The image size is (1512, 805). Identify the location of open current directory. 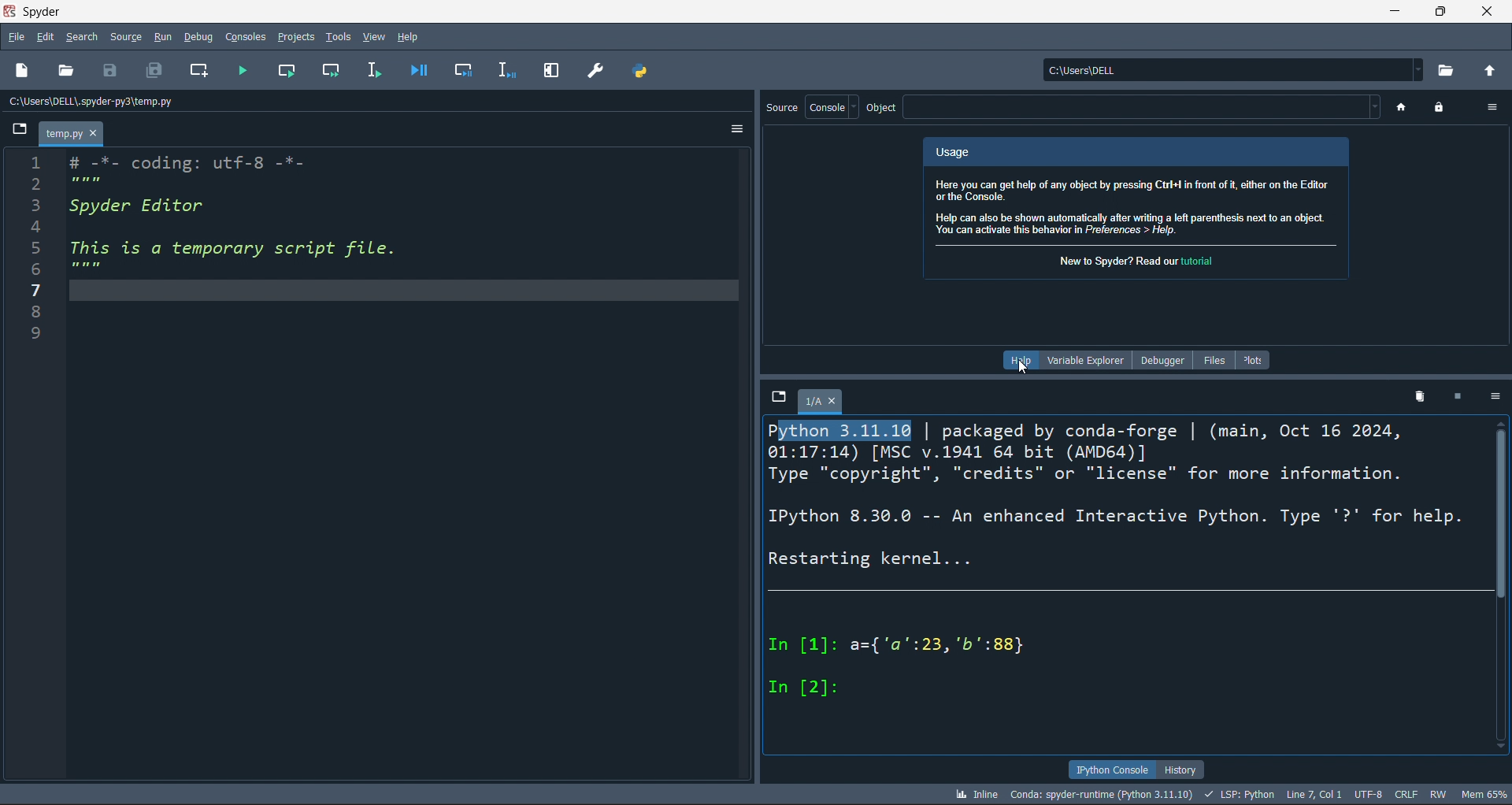
(1445, 71).